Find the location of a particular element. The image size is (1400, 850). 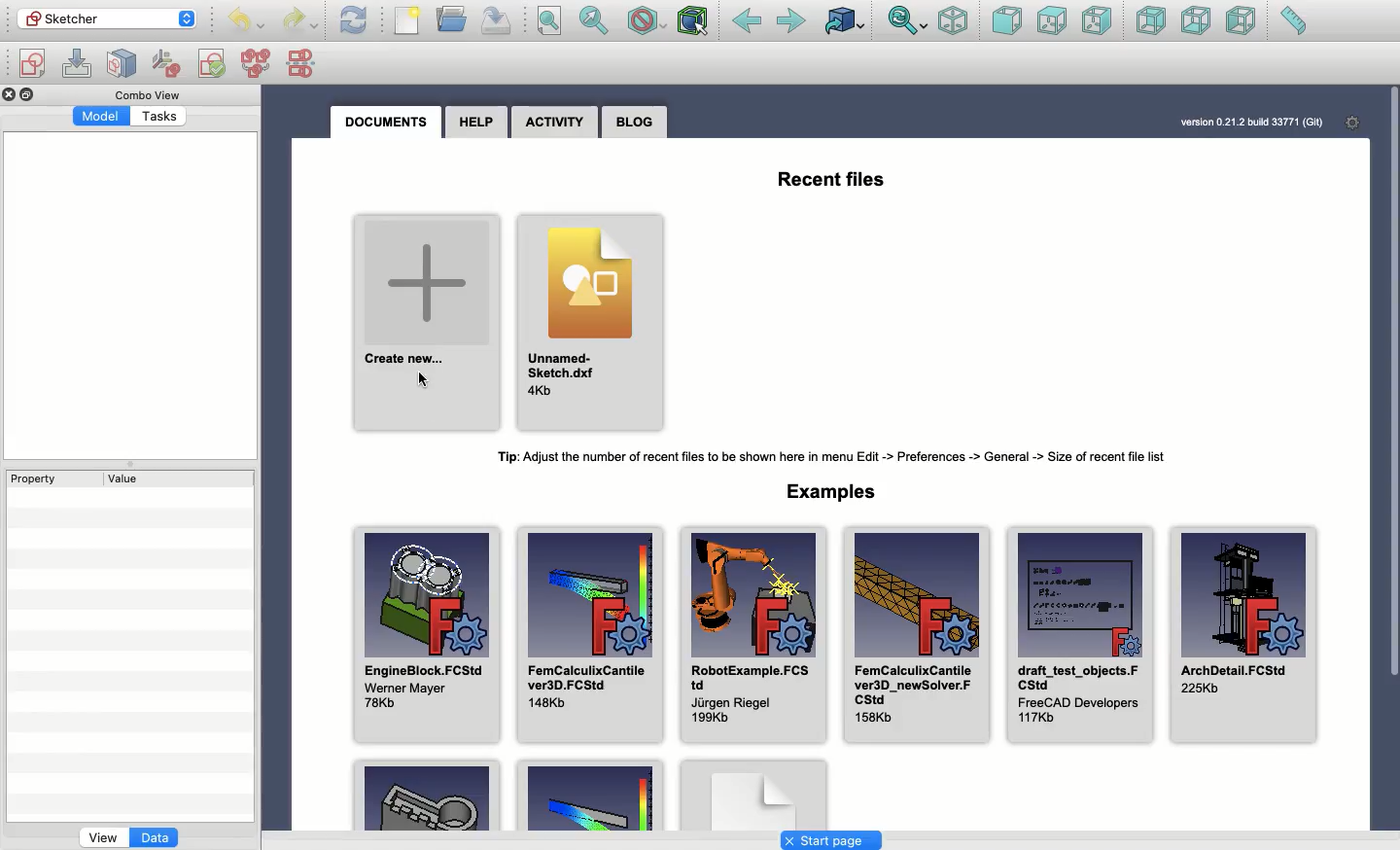

Back is located at coordinates (749, 22).